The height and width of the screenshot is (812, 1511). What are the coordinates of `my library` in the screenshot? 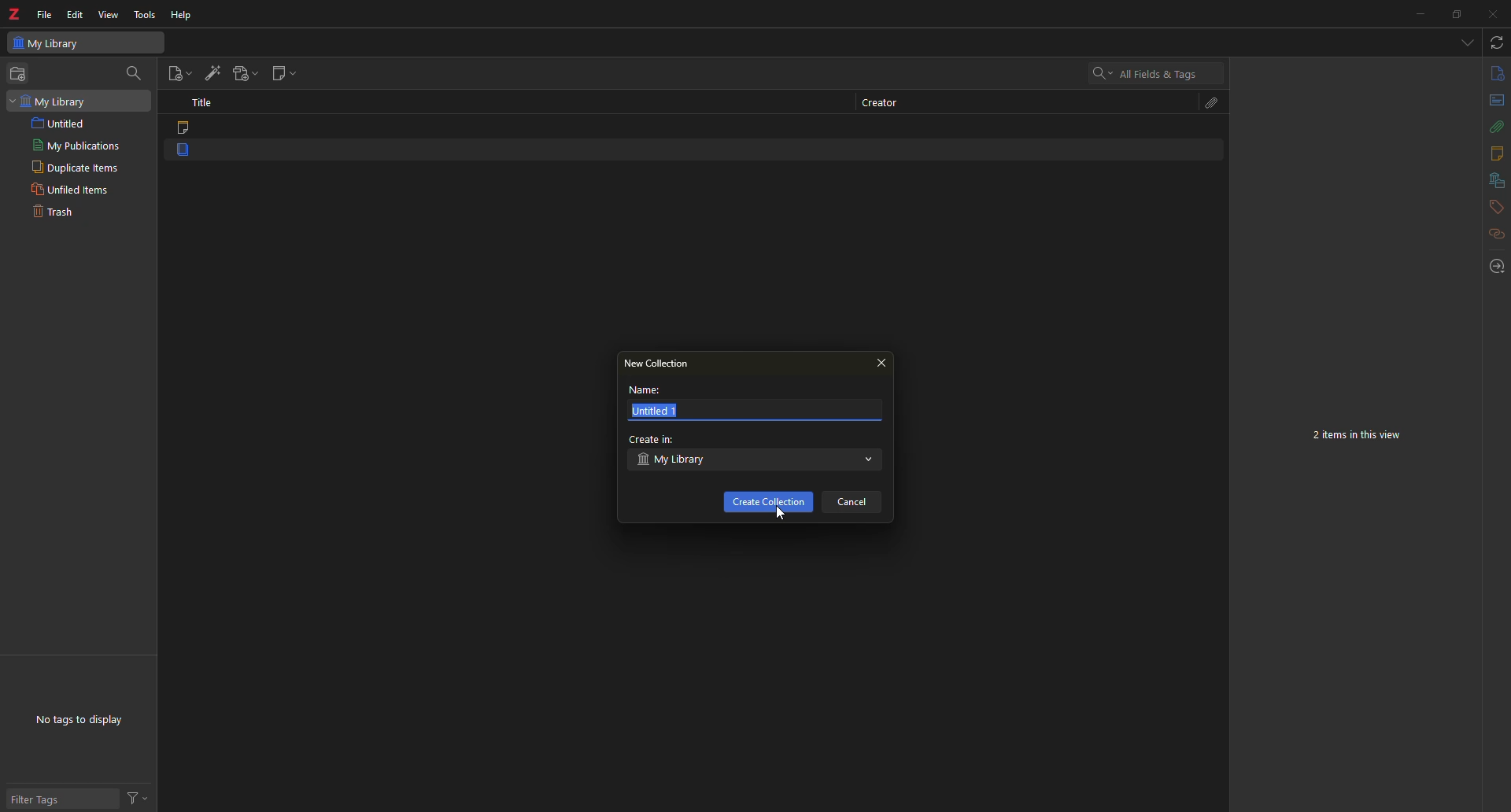 It's located at (677, 461).